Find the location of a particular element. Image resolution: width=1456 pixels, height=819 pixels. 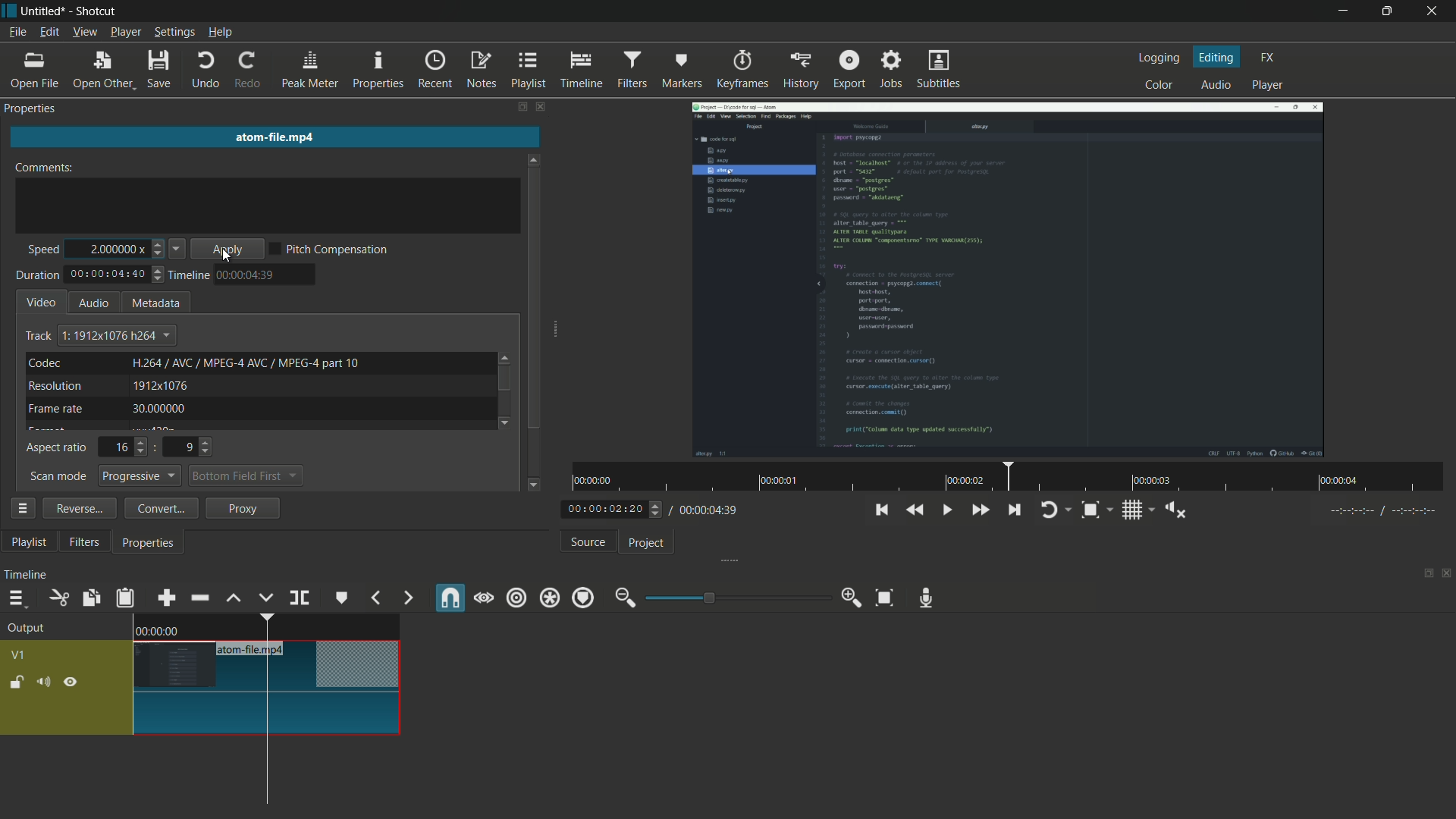

change layout is located at coordinates (1423, 576).